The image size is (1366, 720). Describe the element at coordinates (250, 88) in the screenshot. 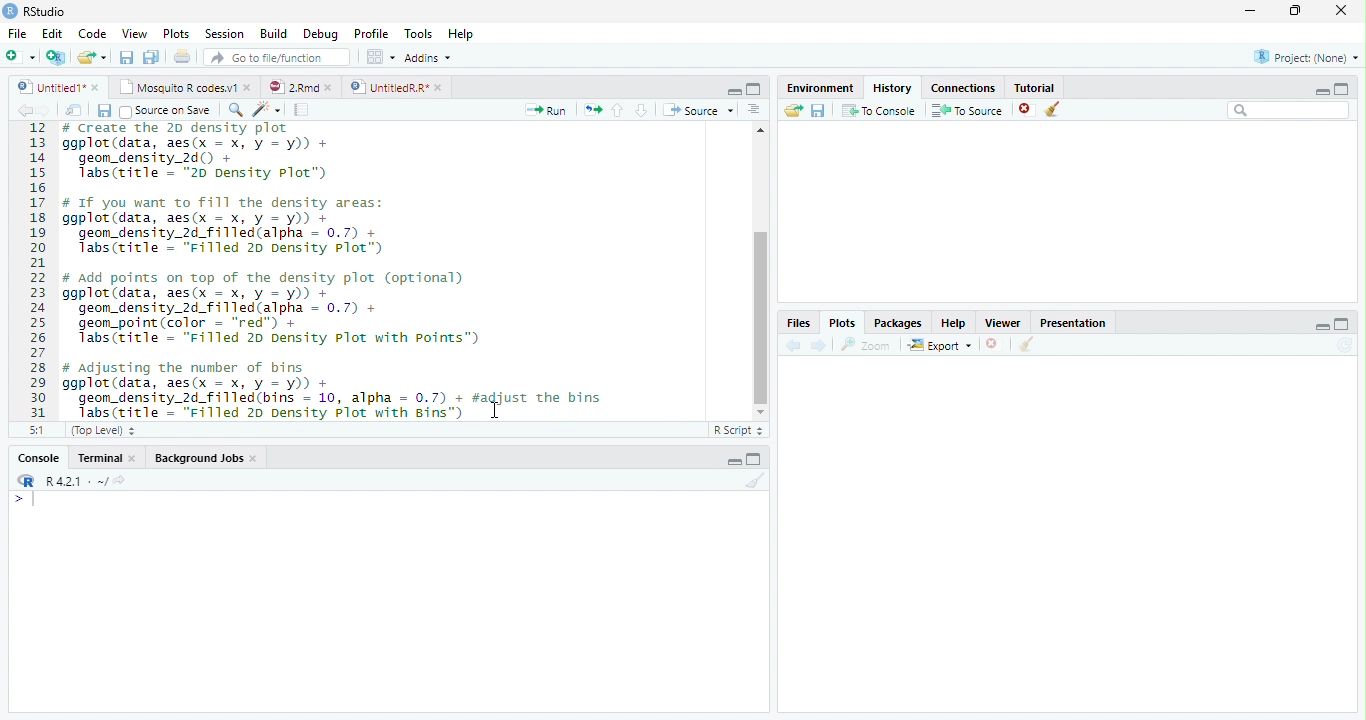

I see `close` at that location.